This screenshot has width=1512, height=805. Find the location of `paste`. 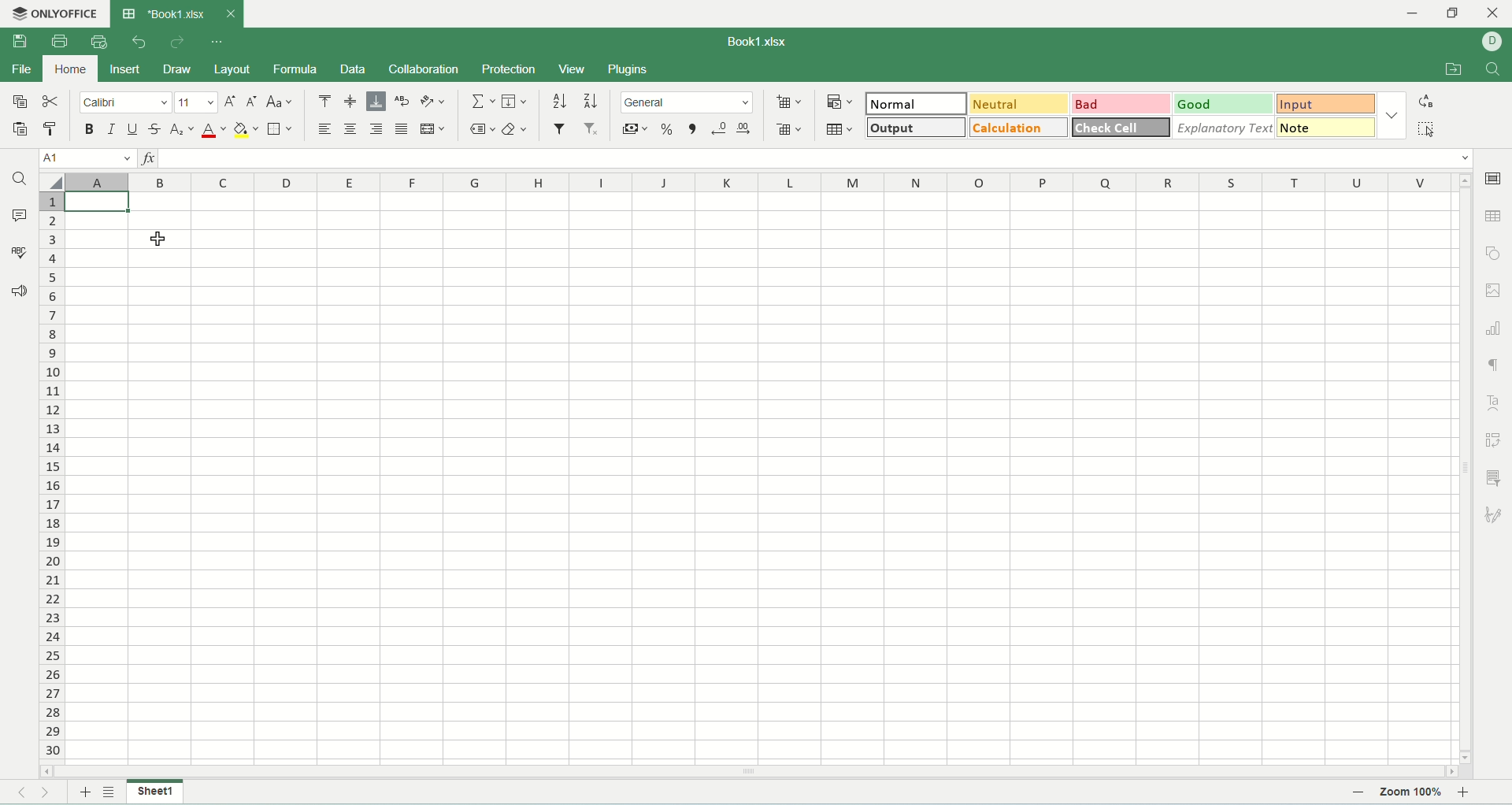

paste is located at coordinates (21, 130).